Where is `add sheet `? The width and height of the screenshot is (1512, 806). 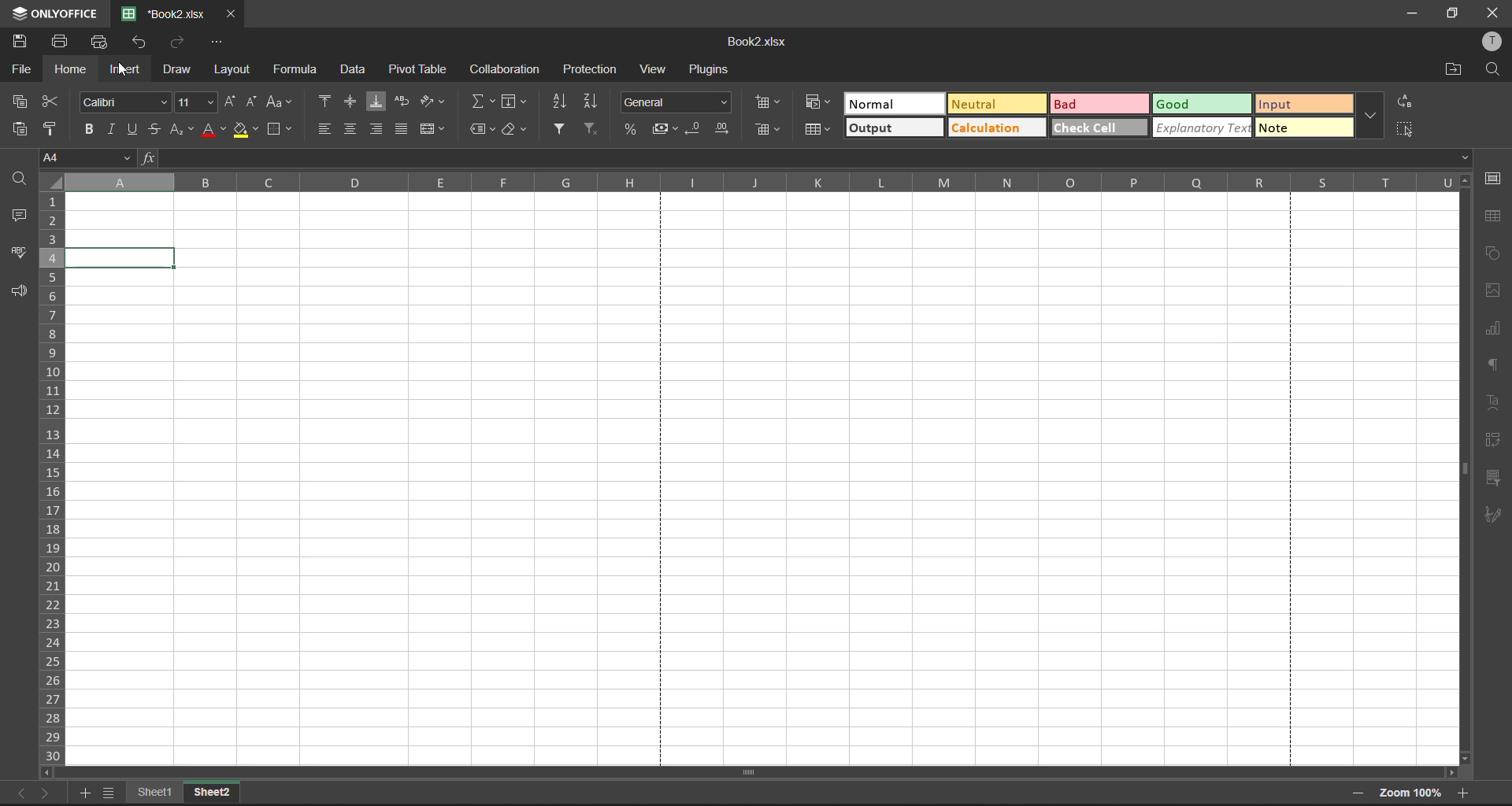
add sheet  is located at coordinates (83, 795).